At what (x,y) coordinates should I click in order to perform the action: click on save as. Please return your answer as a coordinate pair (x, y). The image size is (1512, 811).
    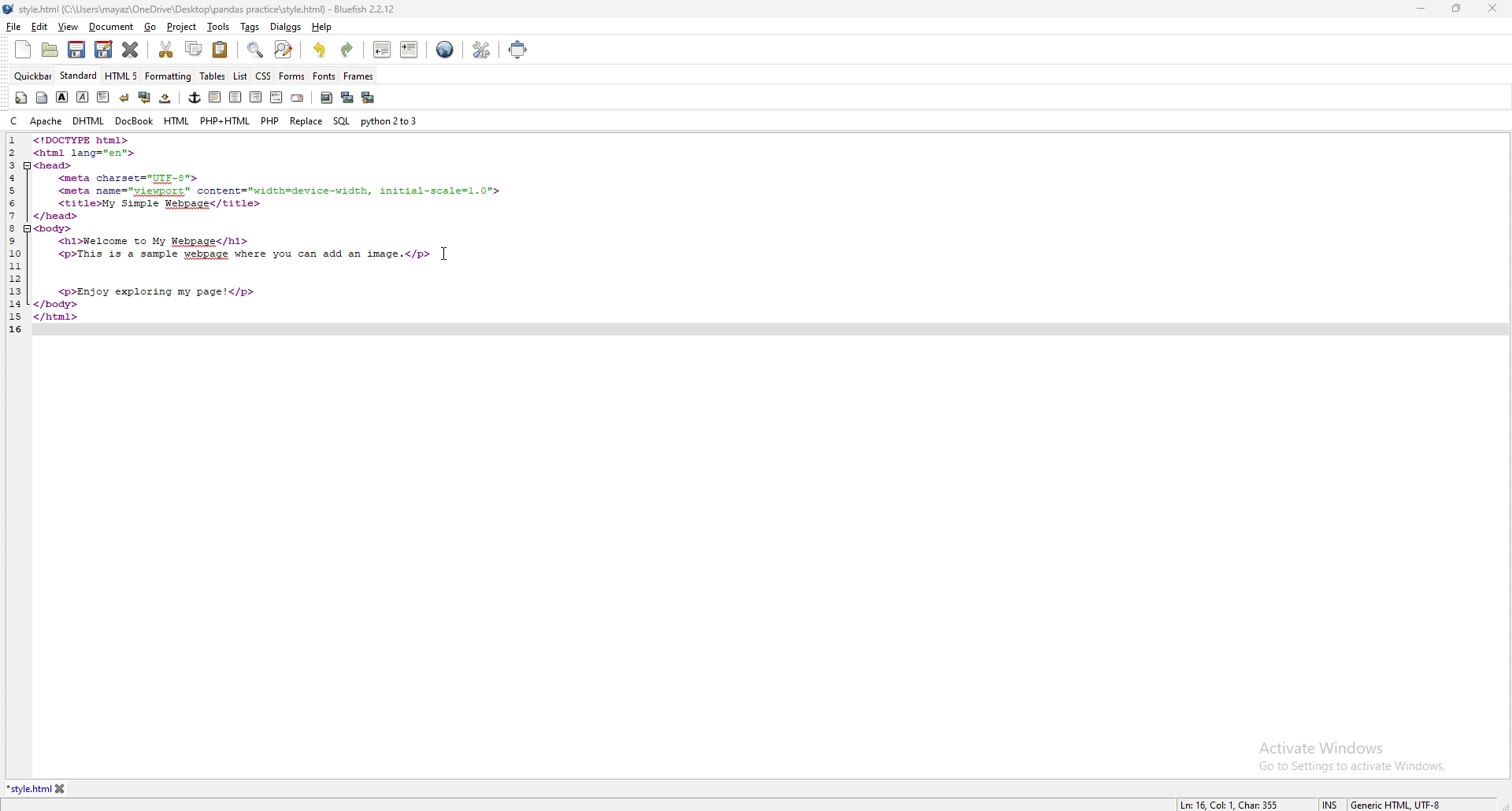
    Looking at the image, I should click on (103, 50).